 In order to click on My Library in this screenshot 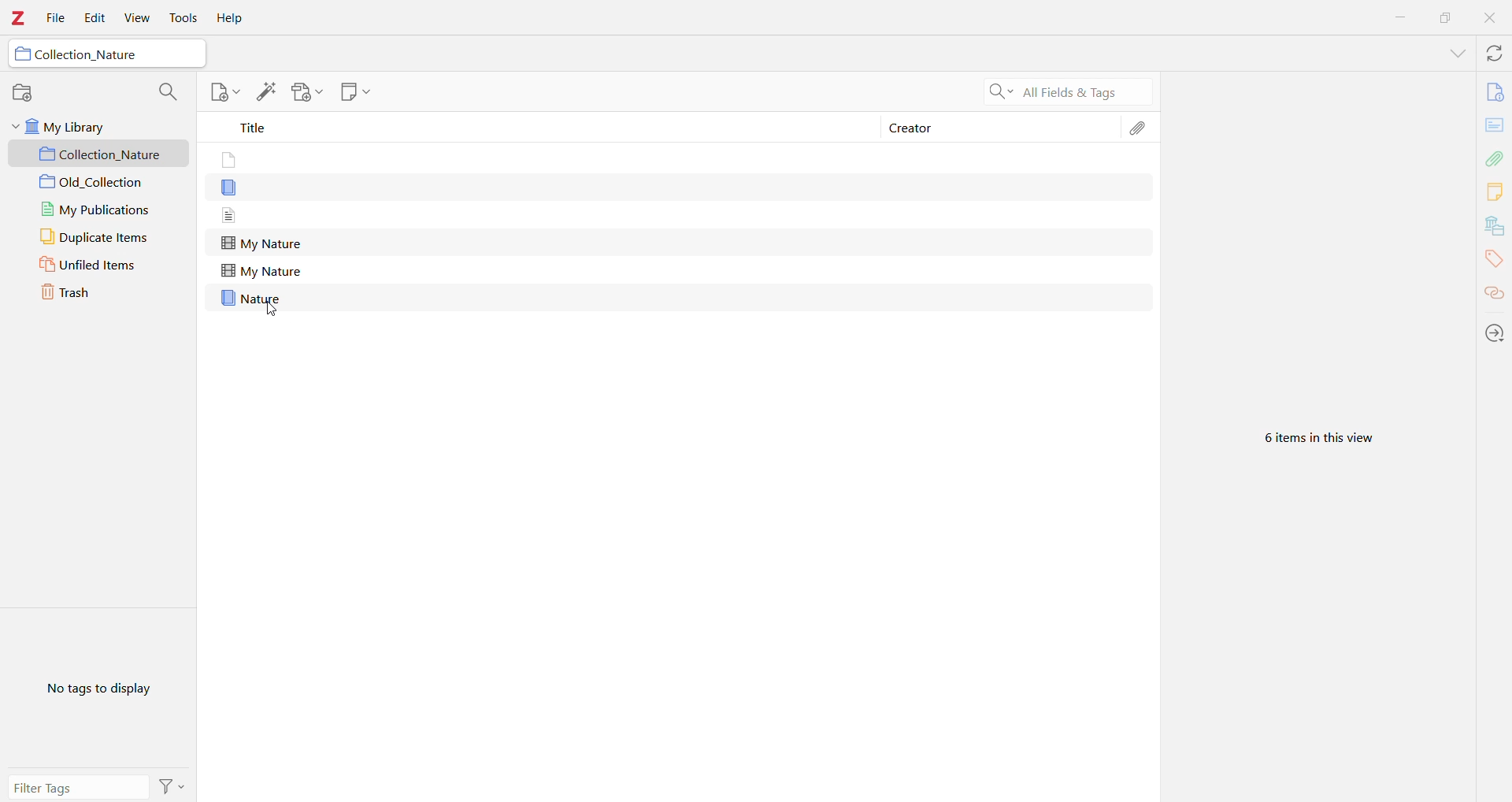, I will do `click(91, 127)`.